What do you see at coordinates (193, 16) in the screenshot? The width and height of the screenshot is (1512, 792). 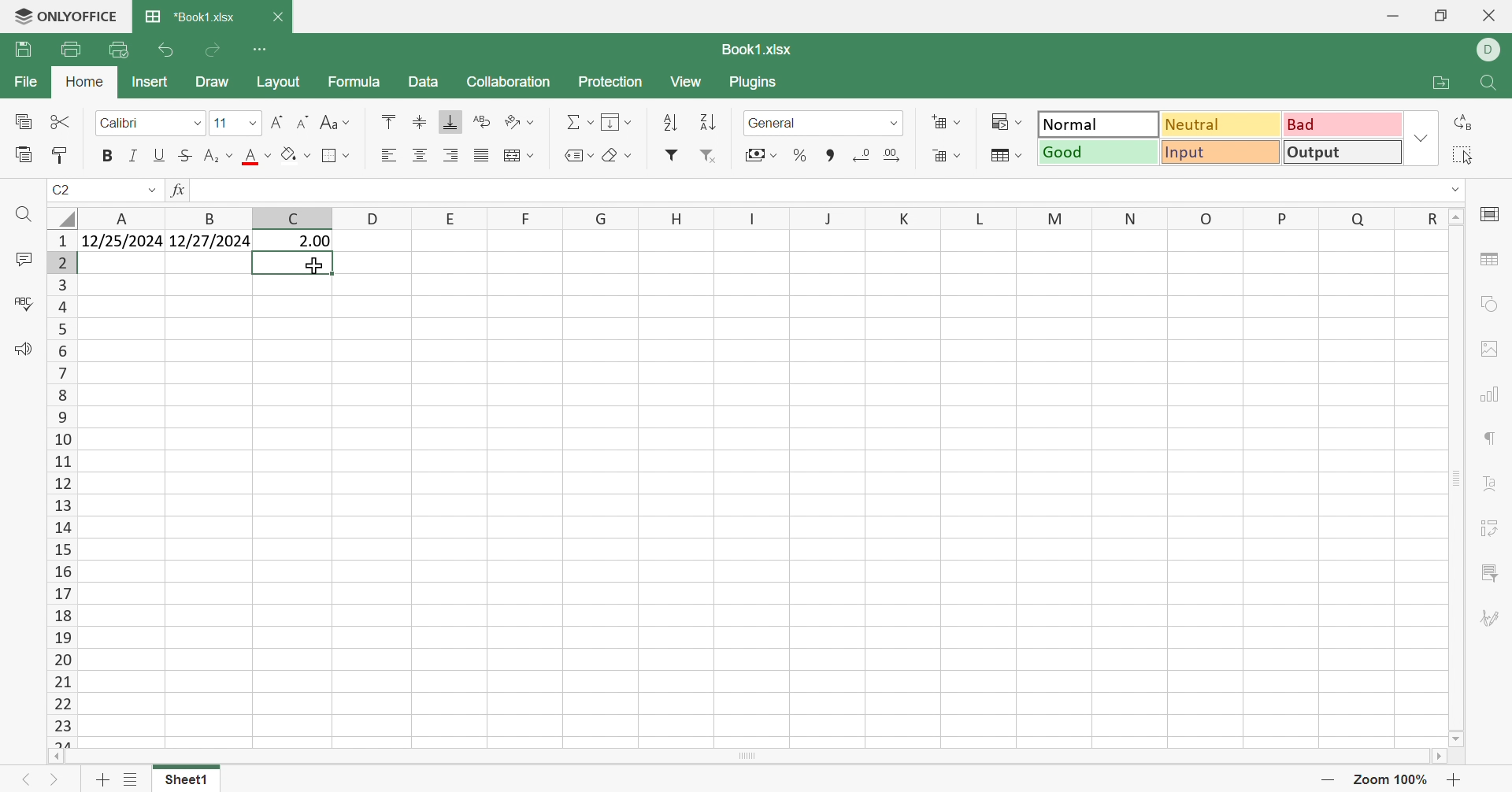 I see `*Book1.xlsx` at bounding box center [193, 16].